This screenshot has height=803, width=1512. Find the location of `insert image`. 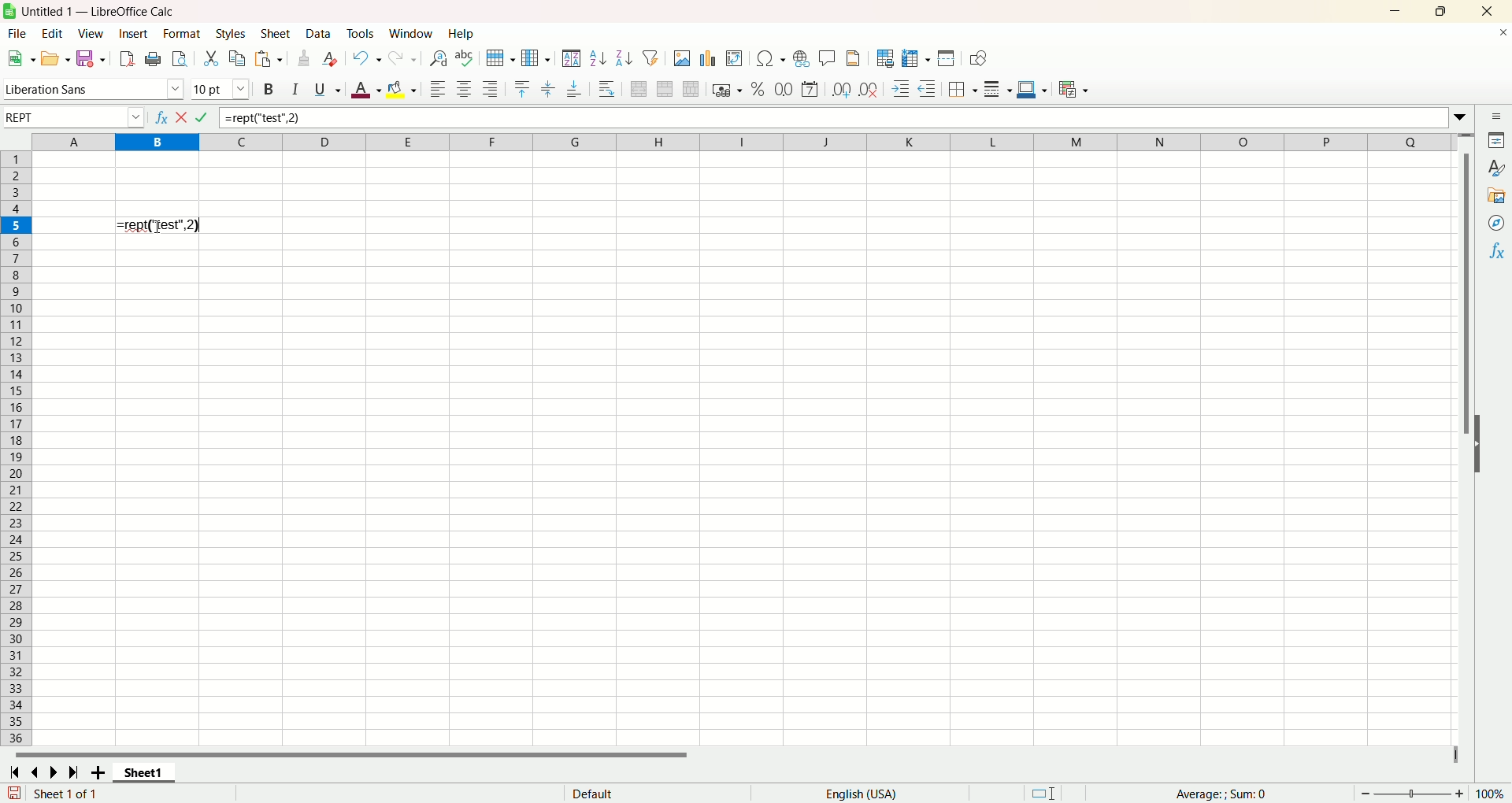

insert image is located at coordinates (683, 57).